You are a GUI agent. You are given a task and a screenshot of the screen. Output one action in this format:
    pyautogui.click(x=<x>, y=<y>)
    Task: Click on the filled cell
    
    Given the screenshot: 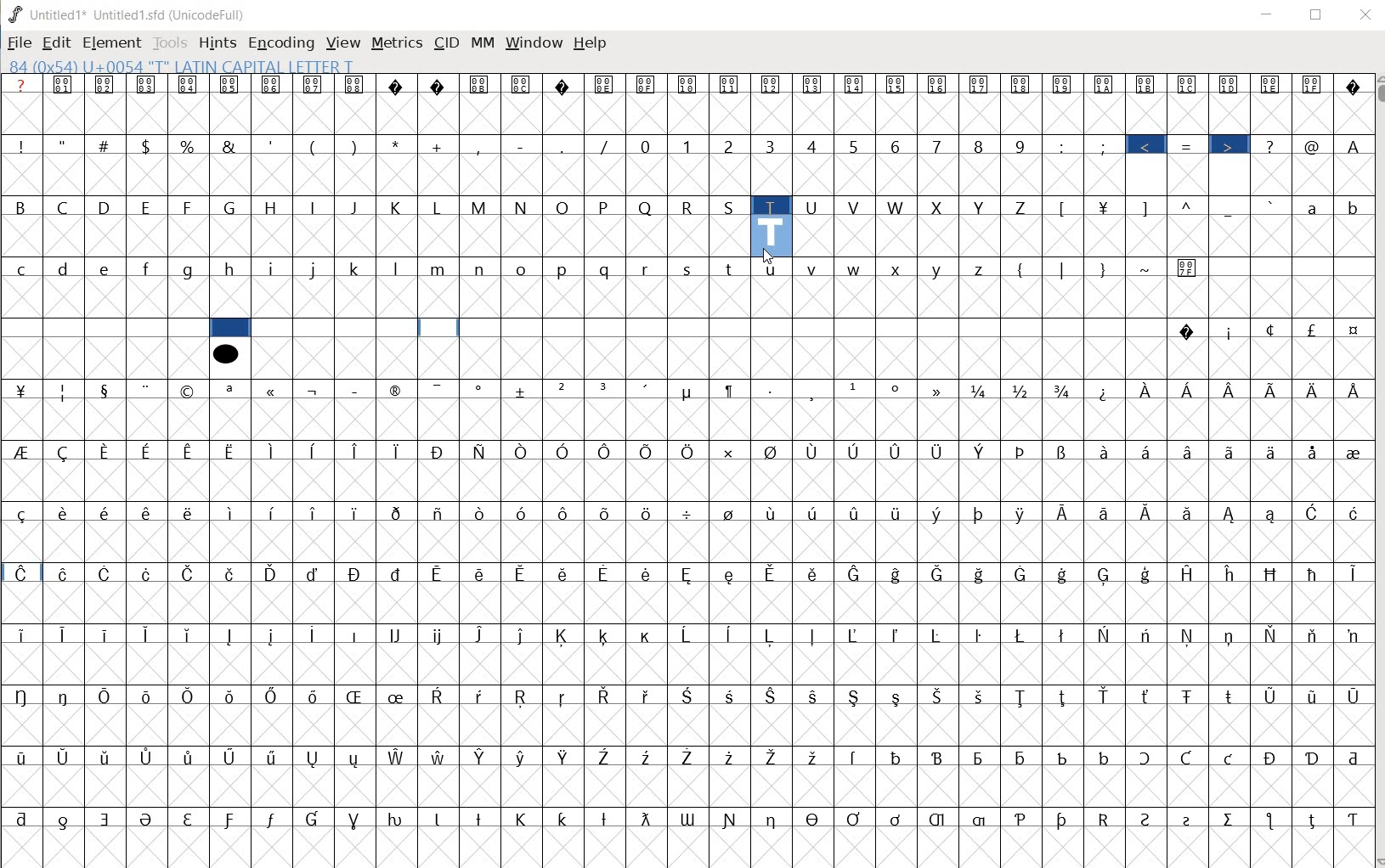 What is the action you would take?
    pyautogui.click(x=230, y=328)
    